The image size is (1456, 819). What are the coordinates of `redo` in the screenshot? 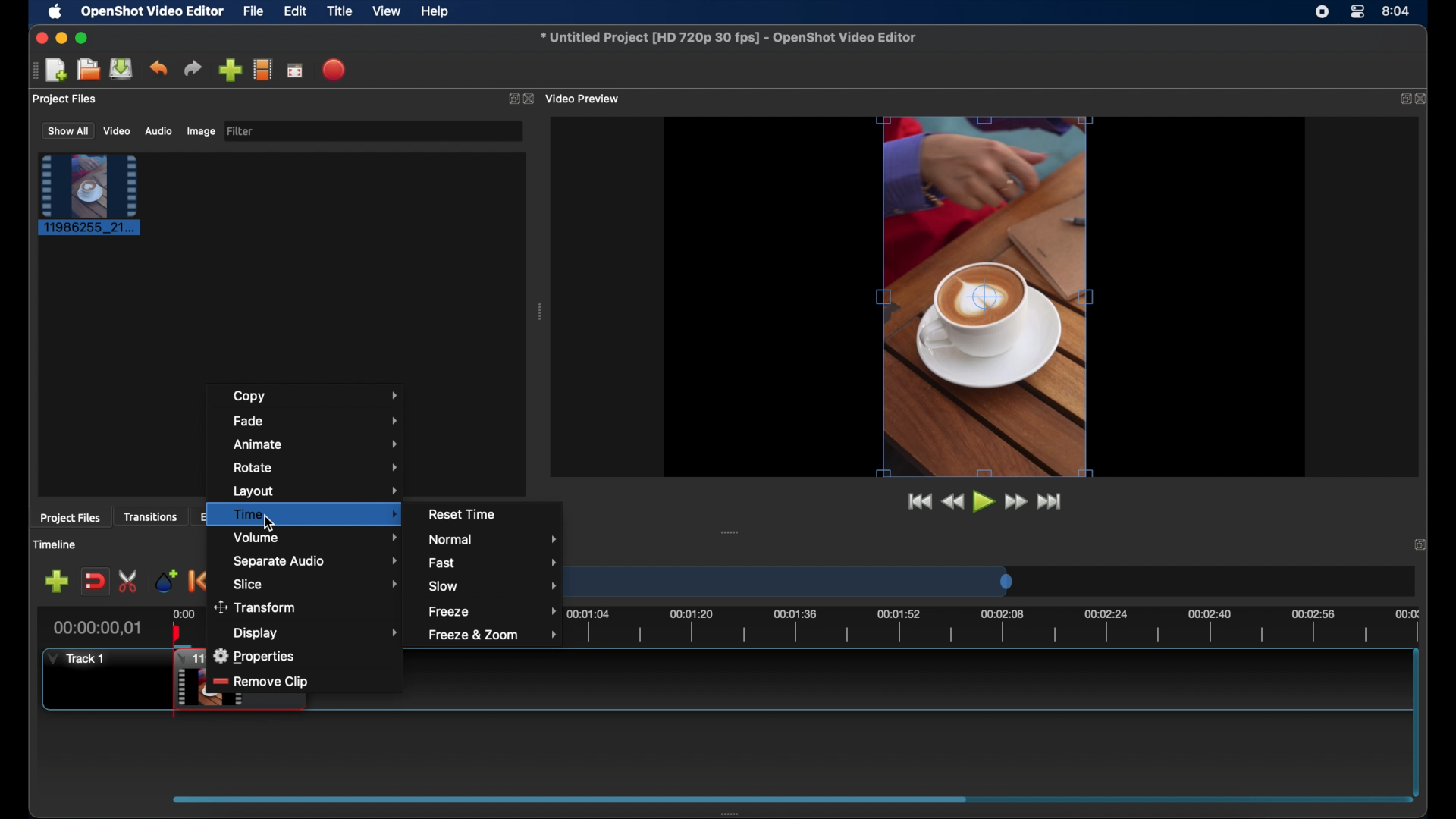 It's located at (193, 67).